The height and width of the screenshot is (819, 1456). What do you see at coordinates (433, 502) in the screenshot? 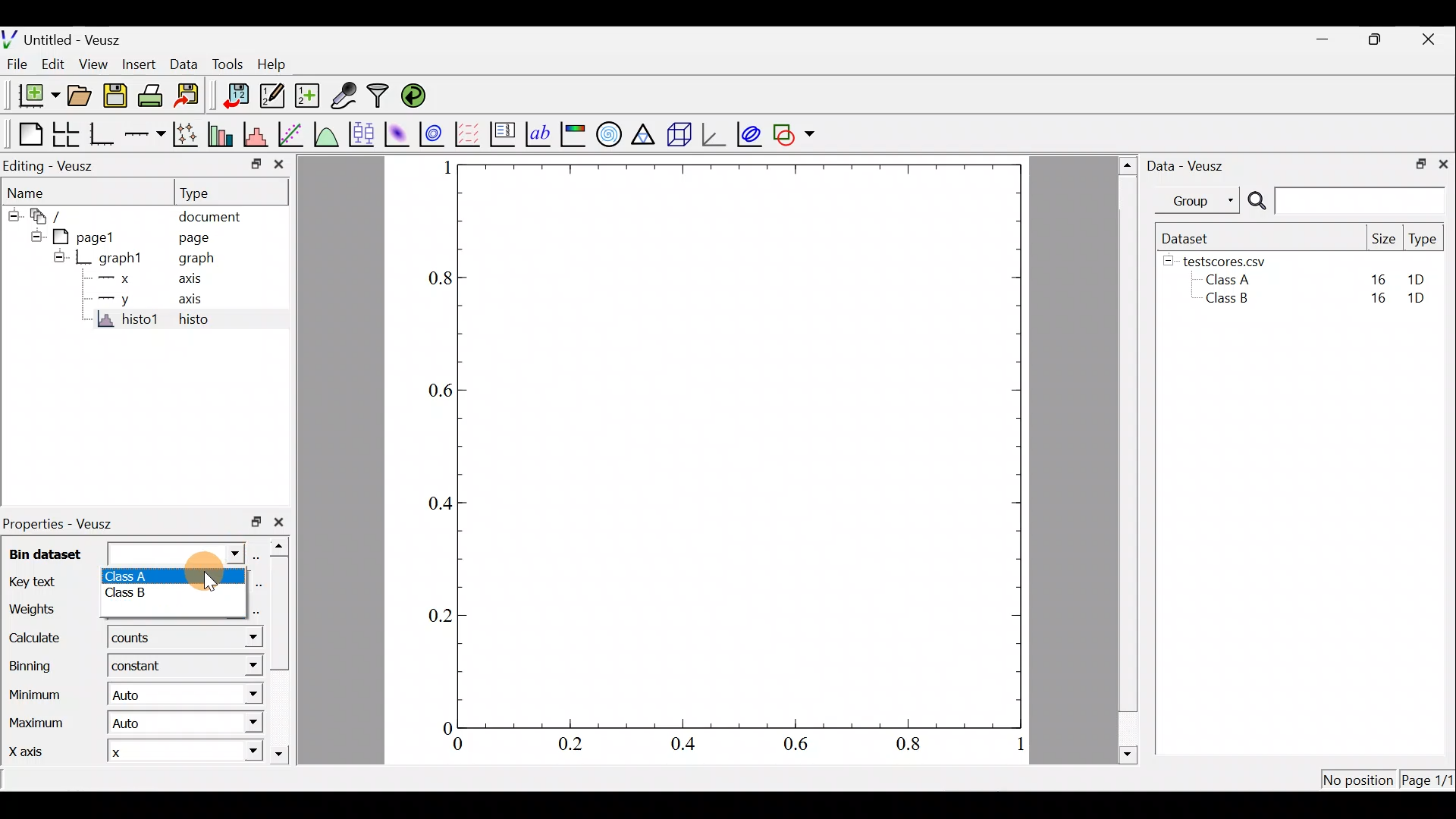
I see `0.4` at bounding box center [433, 502].